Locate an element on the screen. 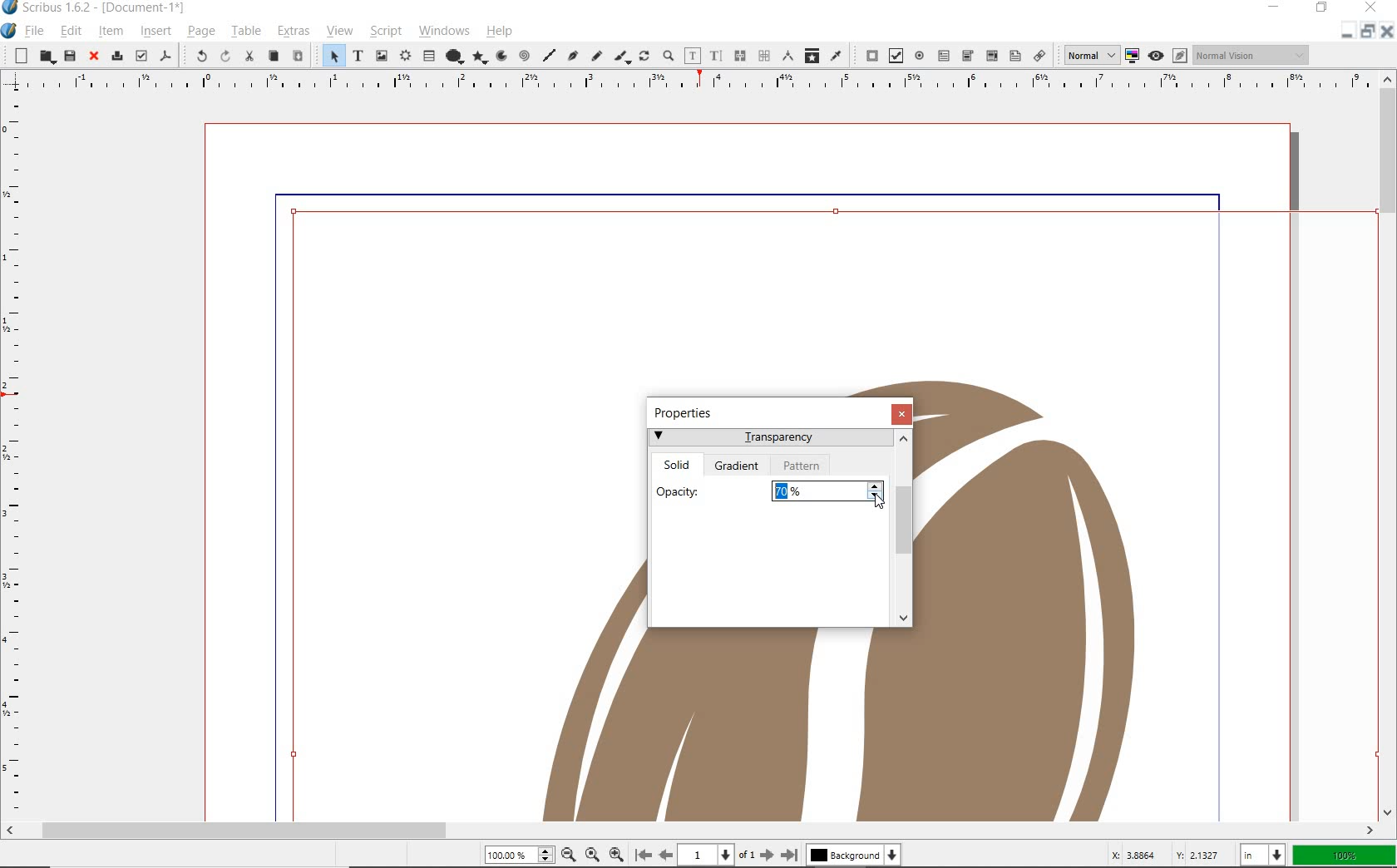 The height and width of the screenshot is (868, 1397). Normal Vision is located at coordinates (1253, 54).